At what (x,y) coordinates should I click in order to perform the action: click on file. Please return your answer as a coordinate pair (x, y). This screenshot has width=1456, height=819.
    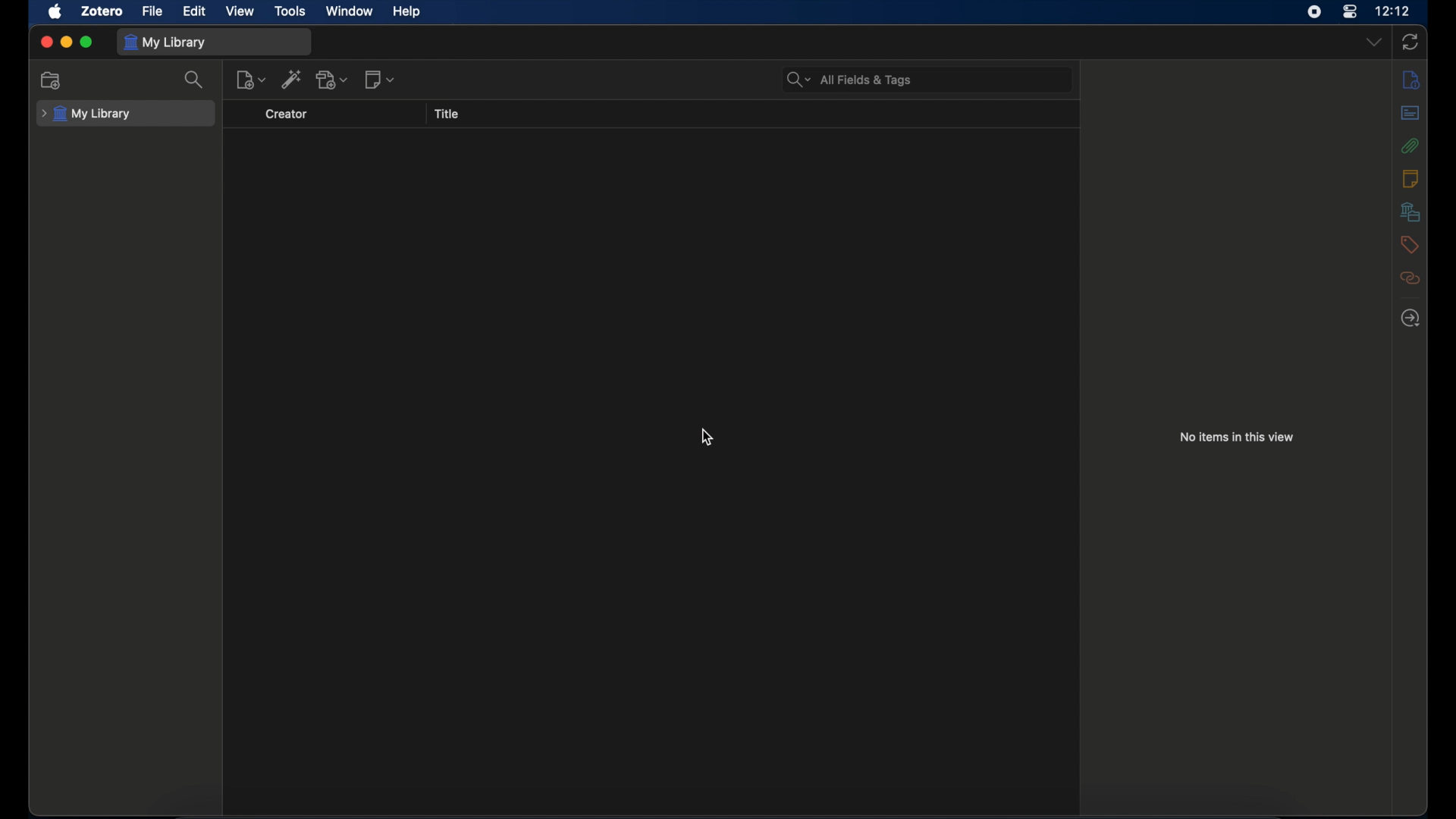
    Looking at the image, I should click on (153, 11).